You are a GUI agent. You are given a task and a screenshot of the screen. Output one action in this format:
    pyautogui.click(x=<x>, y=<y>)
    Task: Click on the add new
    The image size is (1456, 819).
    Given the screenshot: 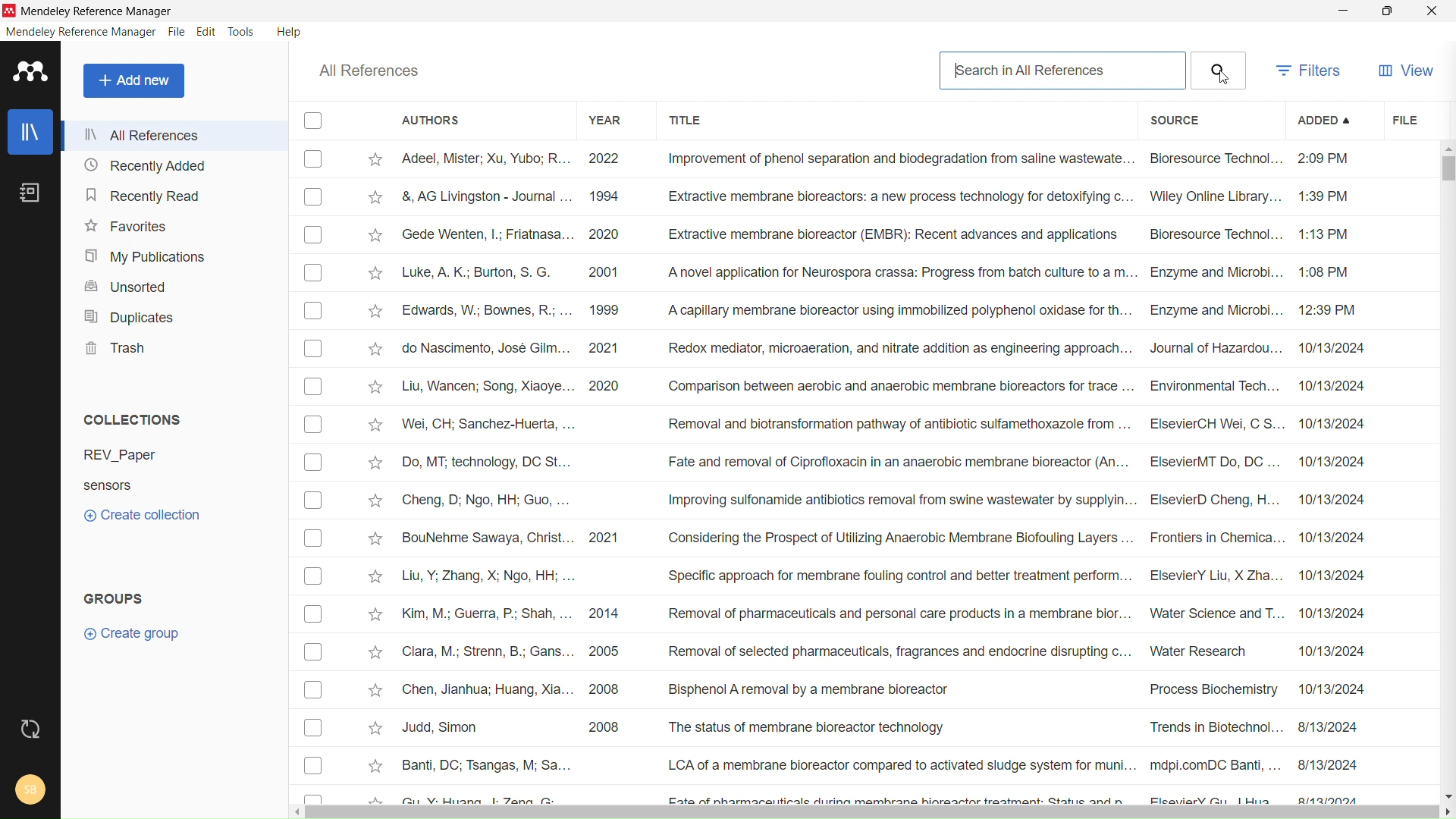 What is the action you would take?
    pyautogui.click(x=133, y=81)
    